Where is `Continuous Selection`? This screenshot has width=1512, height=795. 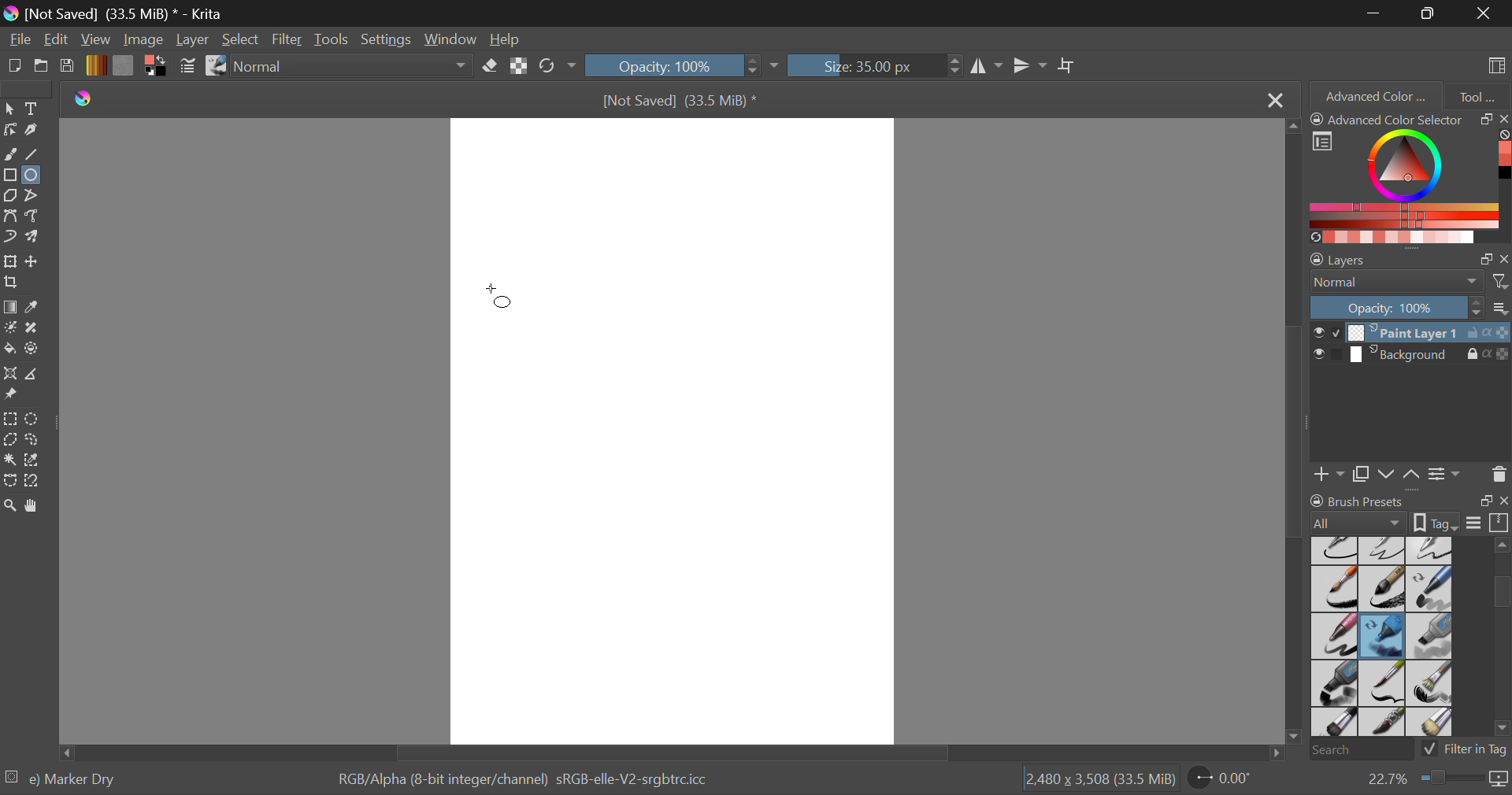
Continuous Selection is located at coordinates (9, 460).